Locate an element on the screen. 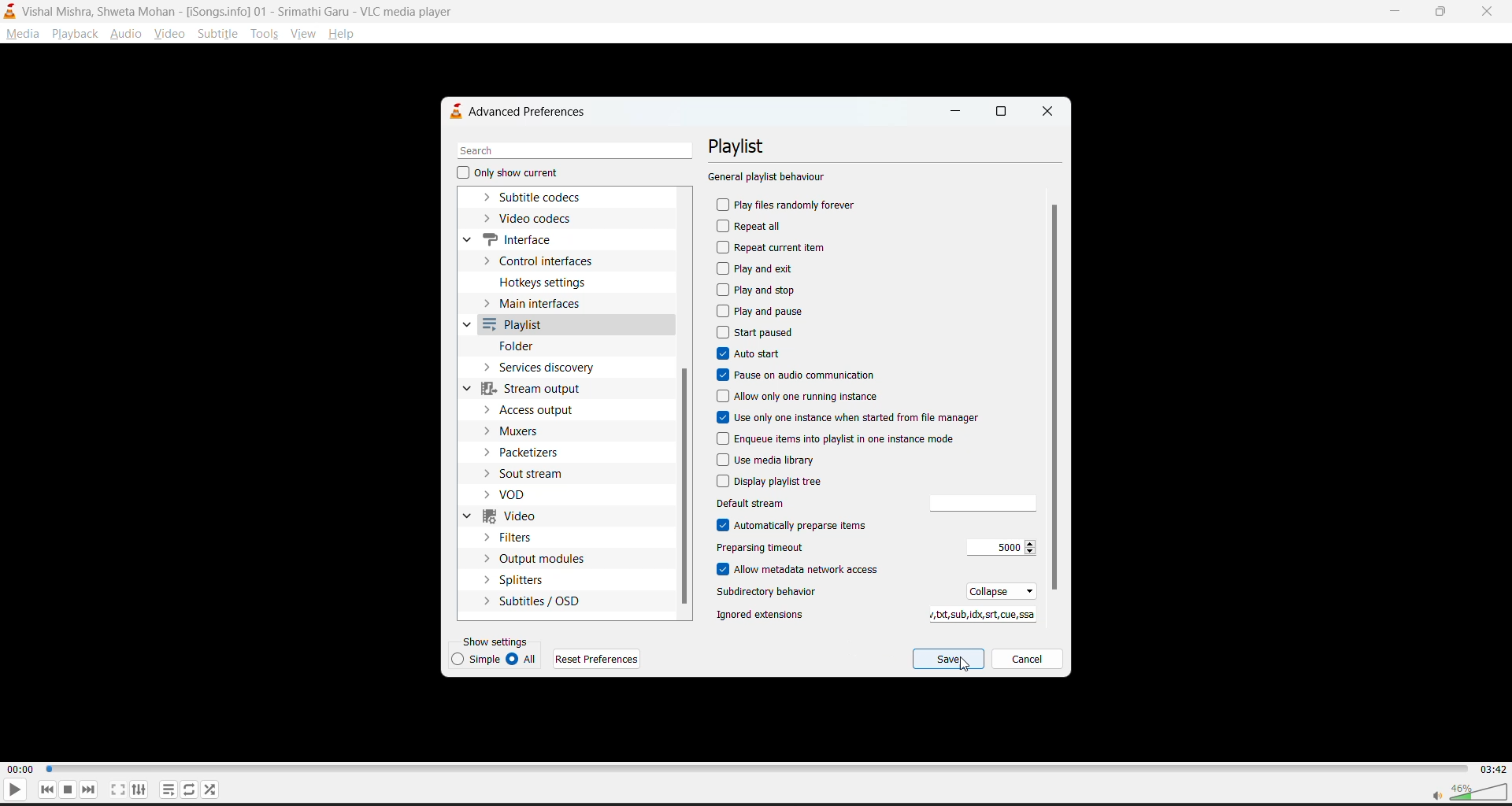  close is located at coordinates (1048, 110).